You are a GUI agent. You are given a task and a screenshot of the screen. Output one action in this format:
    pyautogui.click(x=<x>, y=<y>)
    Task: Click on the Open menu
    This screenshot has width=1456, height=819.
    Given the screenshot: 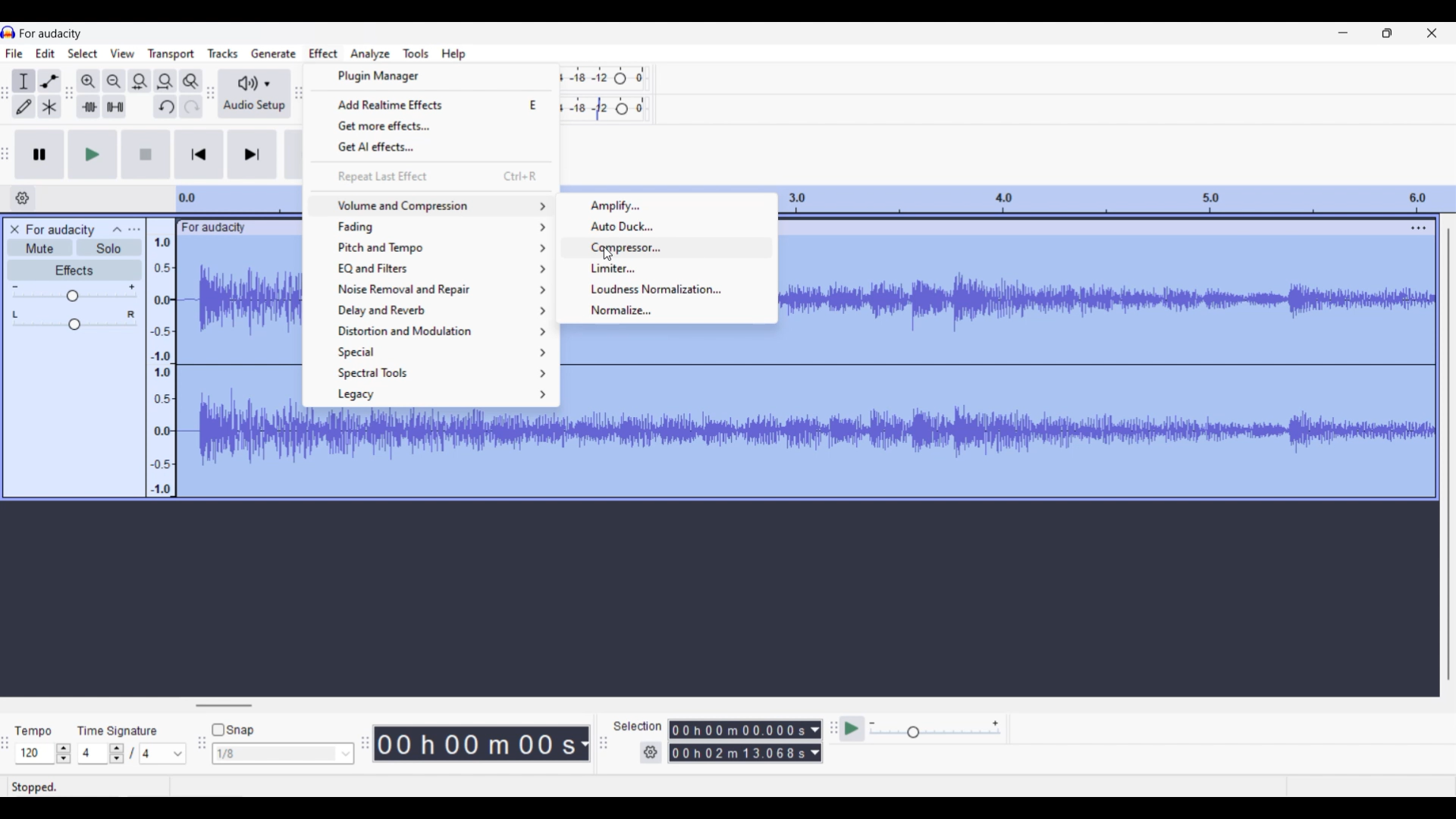 What is the action you would take?
    pyautogui.click(x=134, y=230)
    